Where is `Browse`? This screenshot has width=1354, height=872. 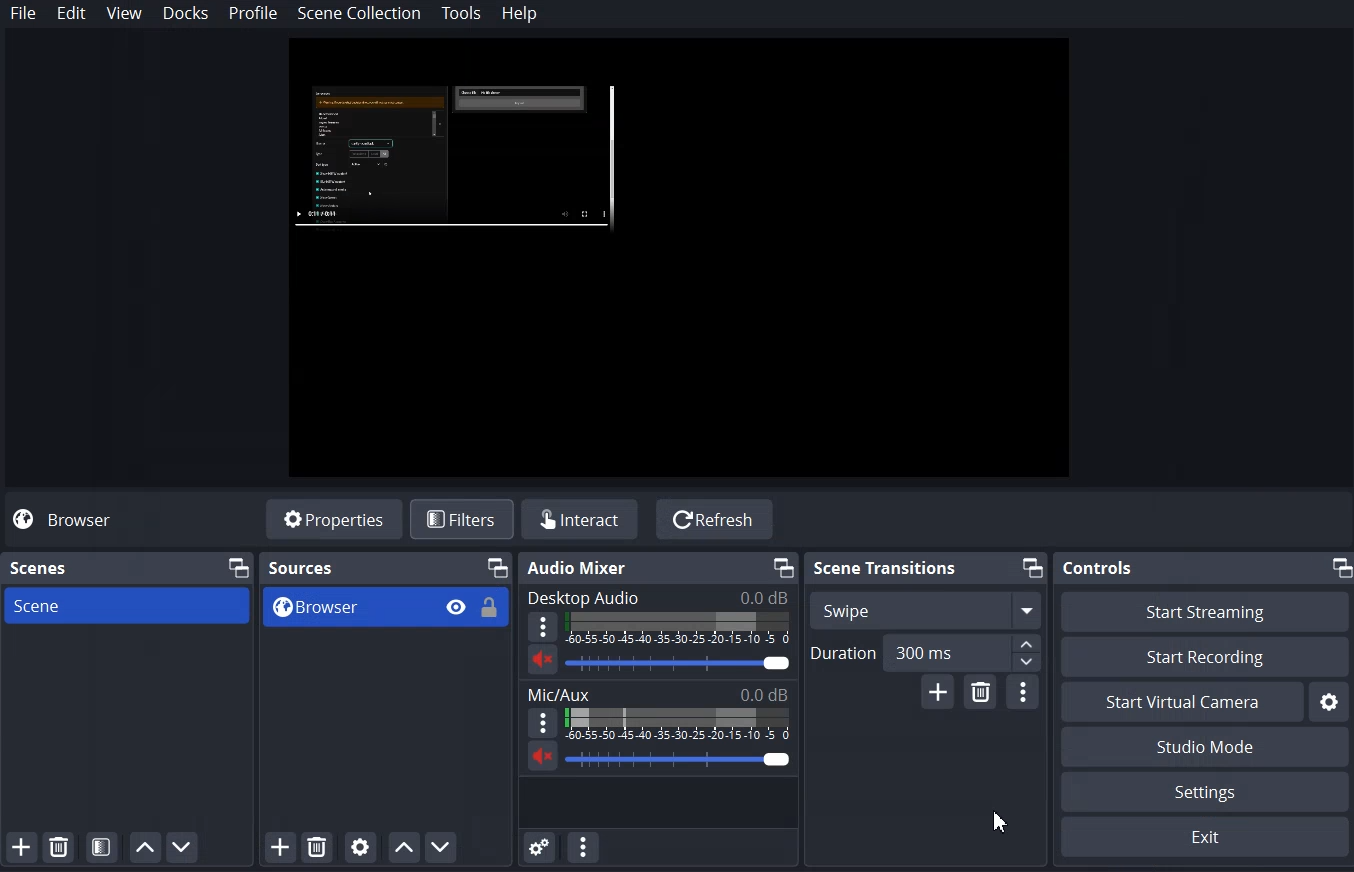 Browse is located at coordinates (67, 520).